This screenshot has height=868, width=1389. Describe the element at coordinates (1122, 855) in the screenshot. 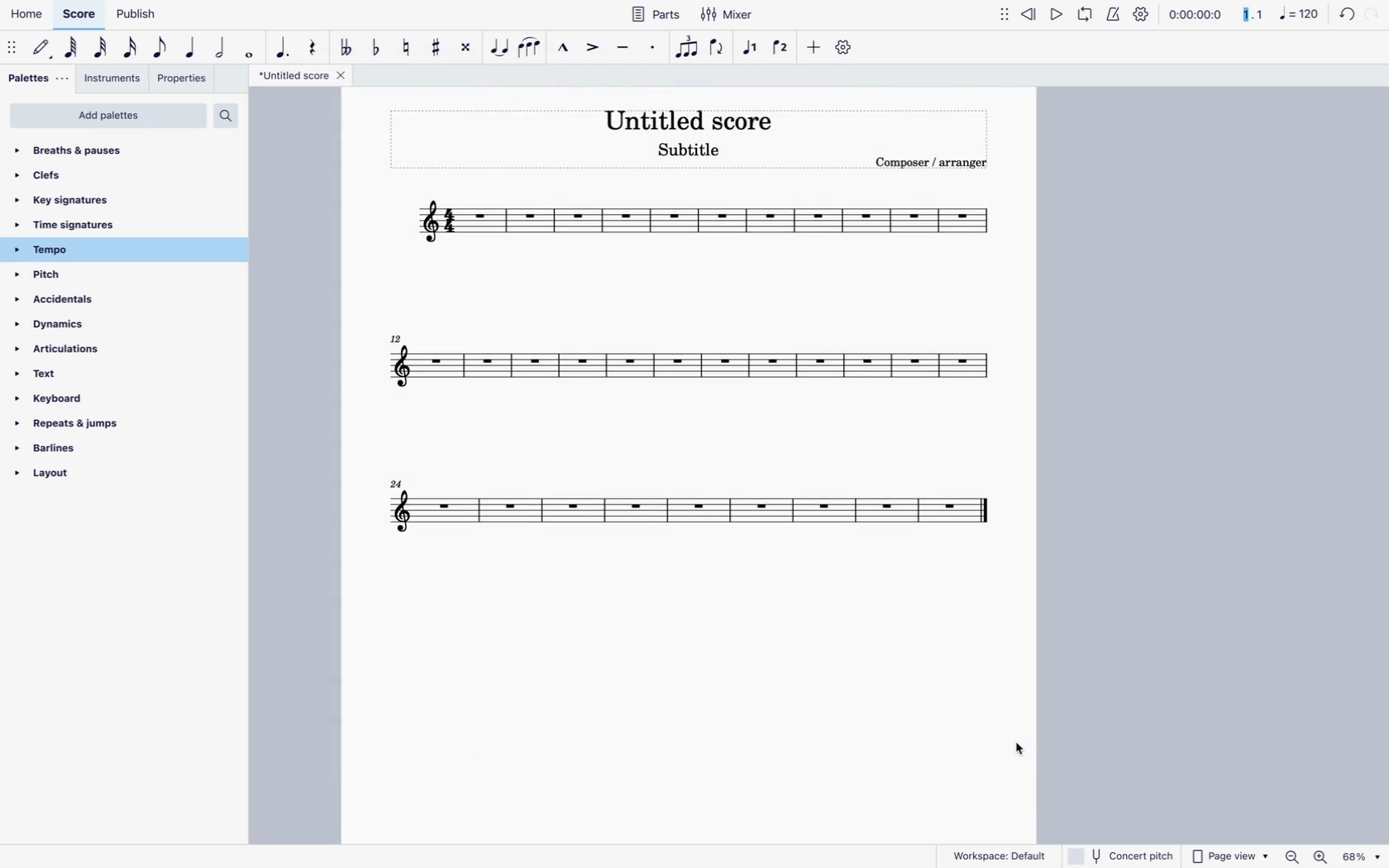

I see `concert pitch` at that location.